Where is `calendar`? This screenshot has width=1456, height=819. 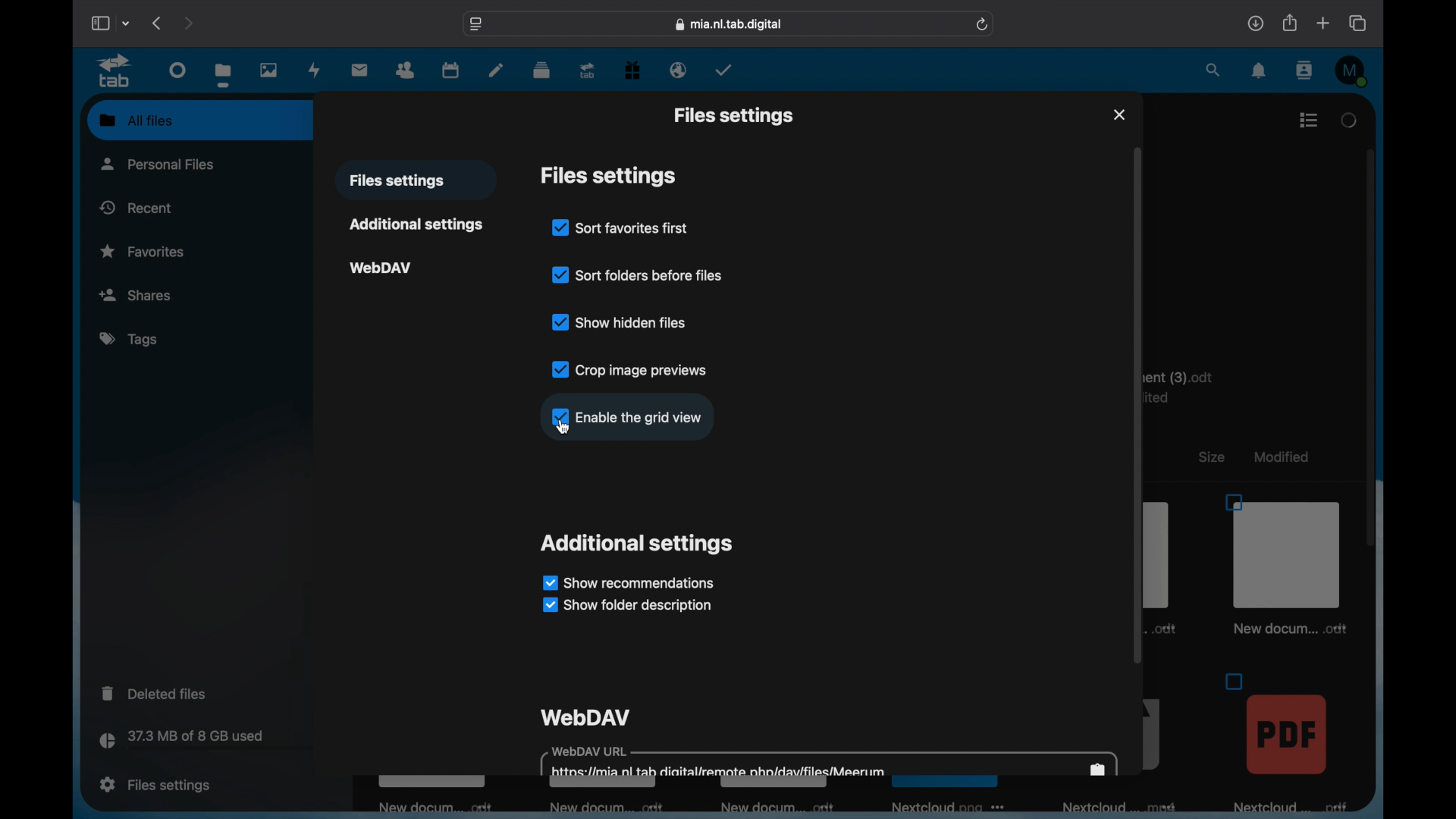 calendar is located at coordinates (450, 69).